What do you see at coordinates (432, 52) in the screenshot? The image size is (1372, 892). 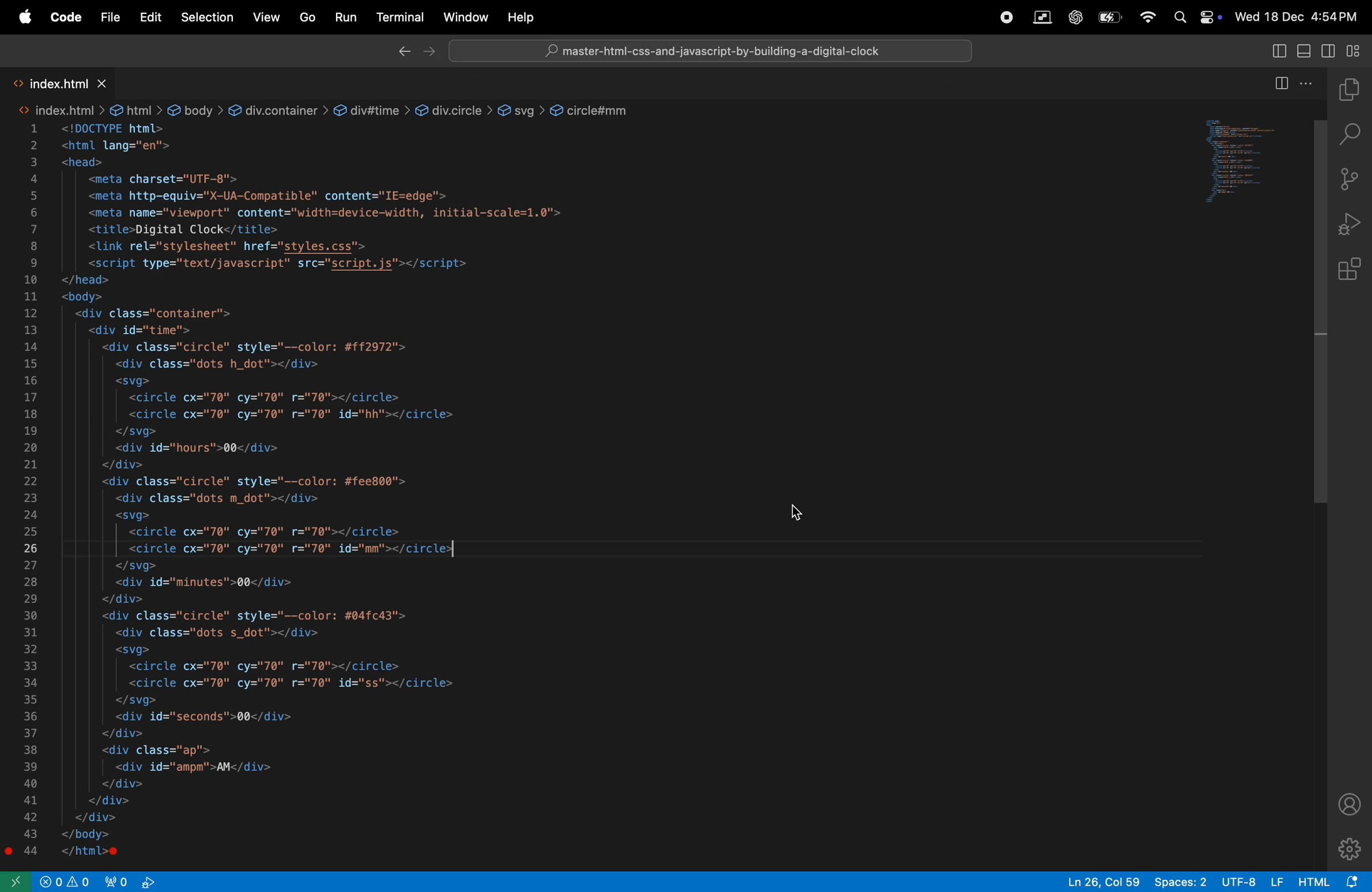 I see `forward` at bounding box center [432, 52].